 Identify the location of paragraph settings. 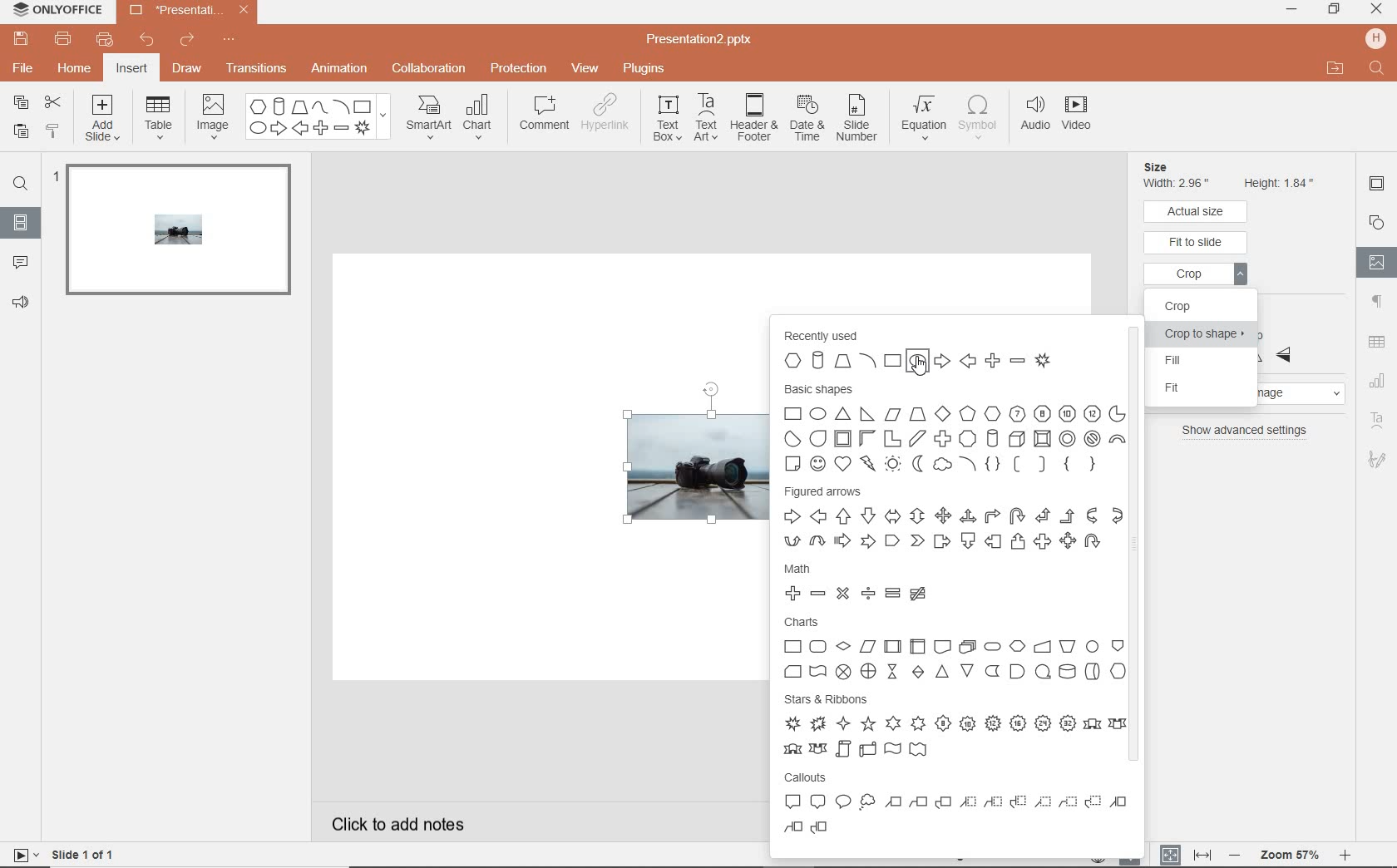
(1376, 303).